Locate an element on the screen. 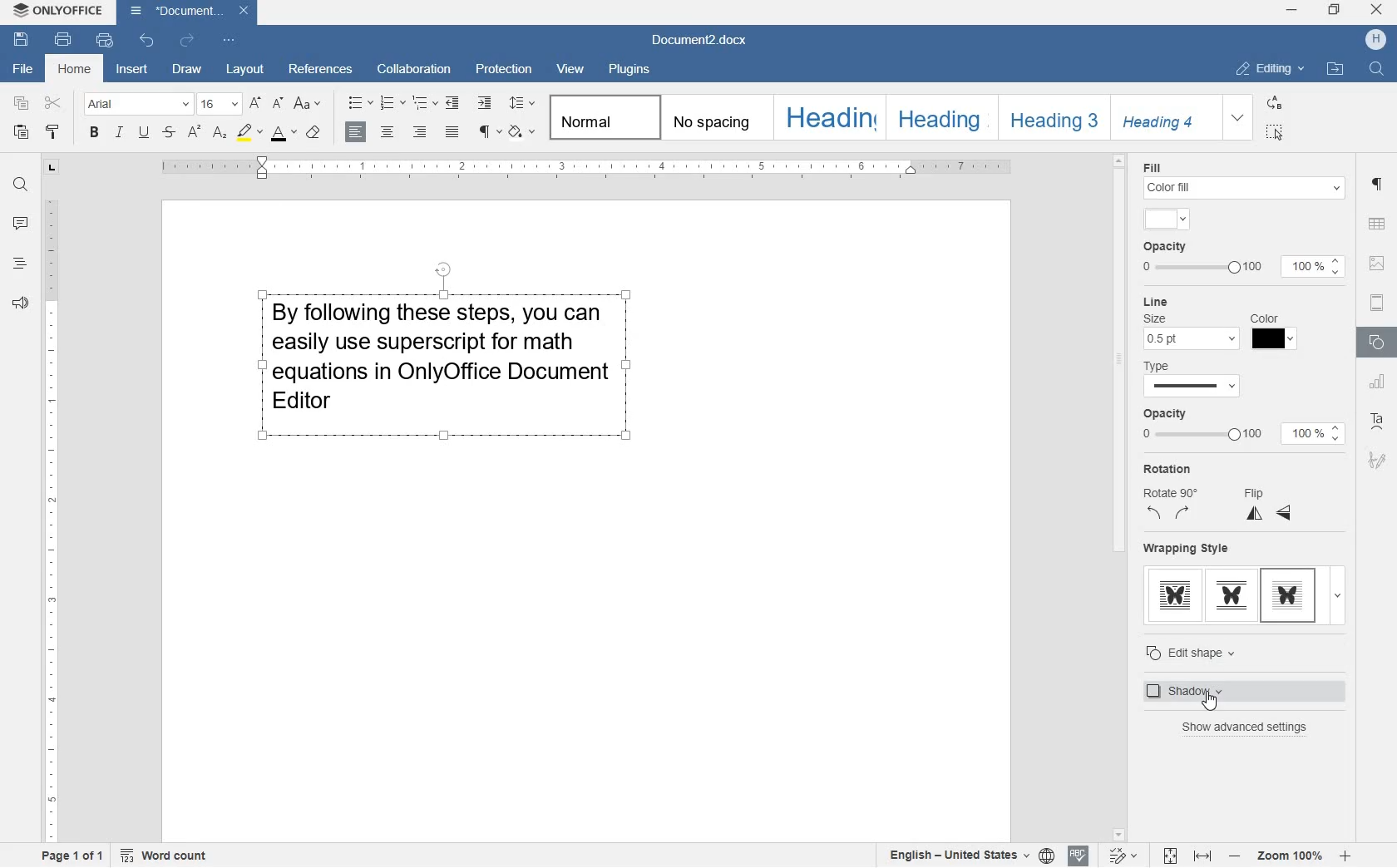 The height and width of the screenshot is (868, 1397). italic is located at coordinates (118, 132).